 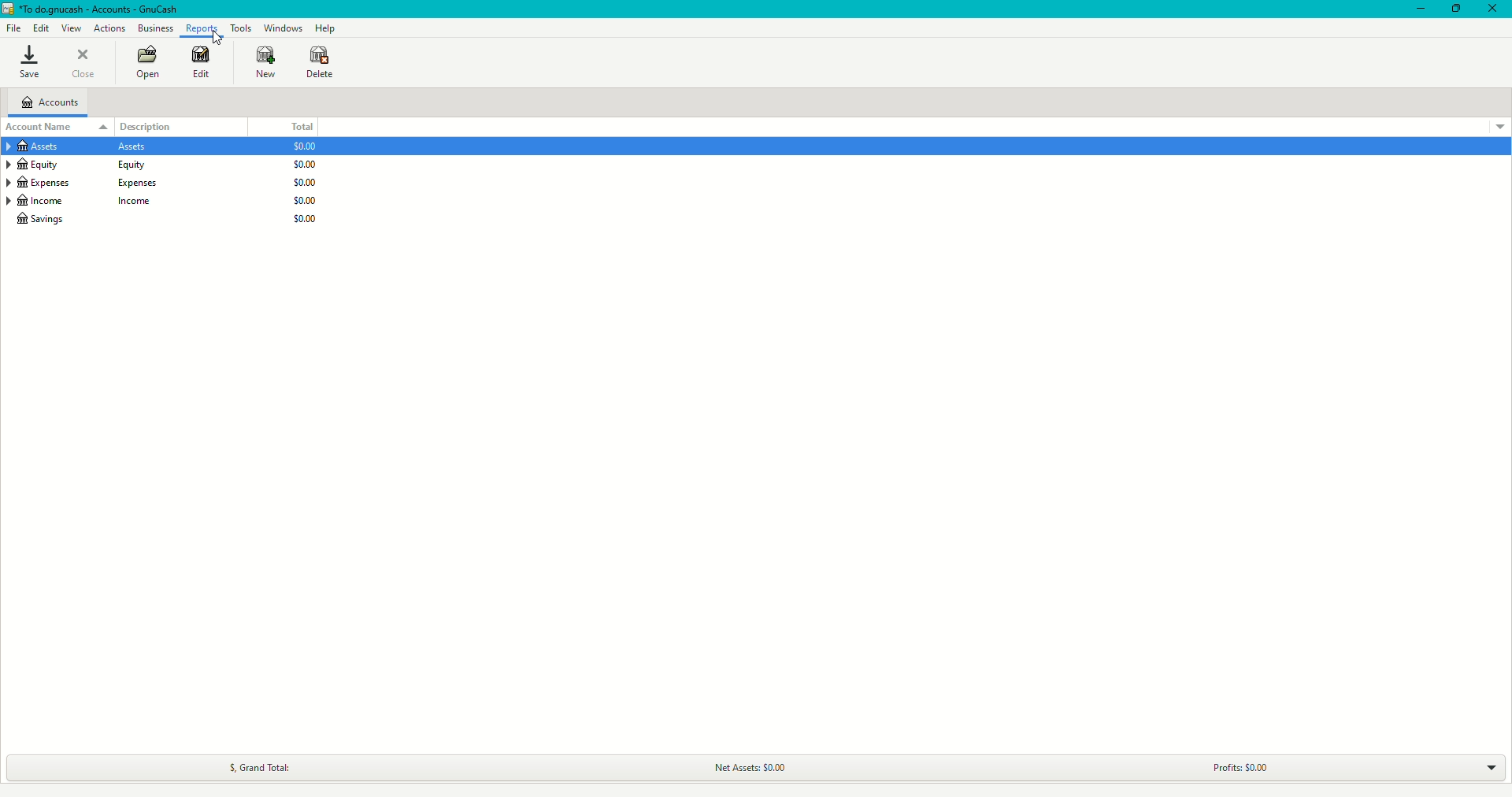 I want to click on View, so click(x=70, y=27).